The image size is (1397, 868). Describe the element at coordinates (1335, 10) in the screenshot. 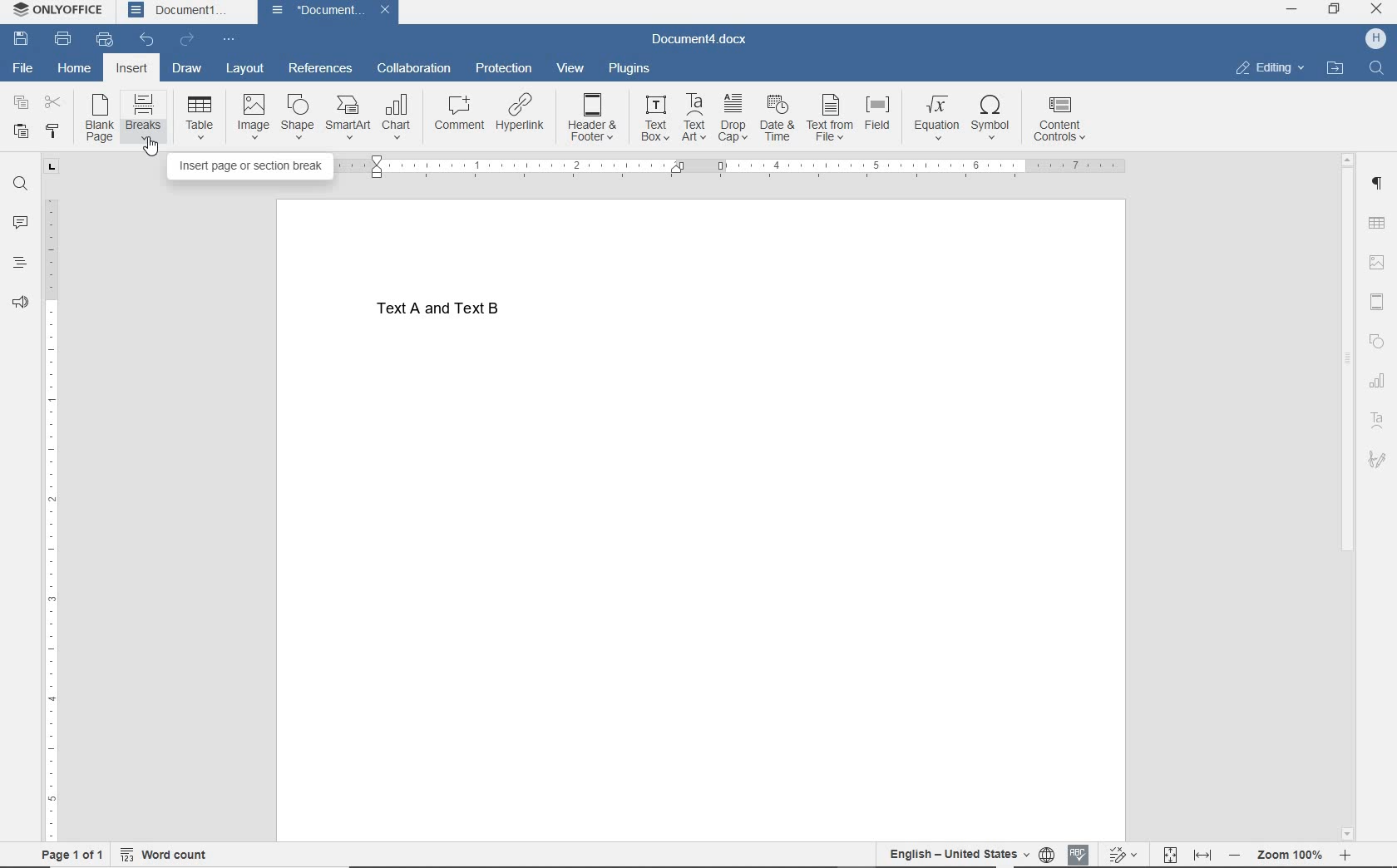

I see `restore down` at that location.